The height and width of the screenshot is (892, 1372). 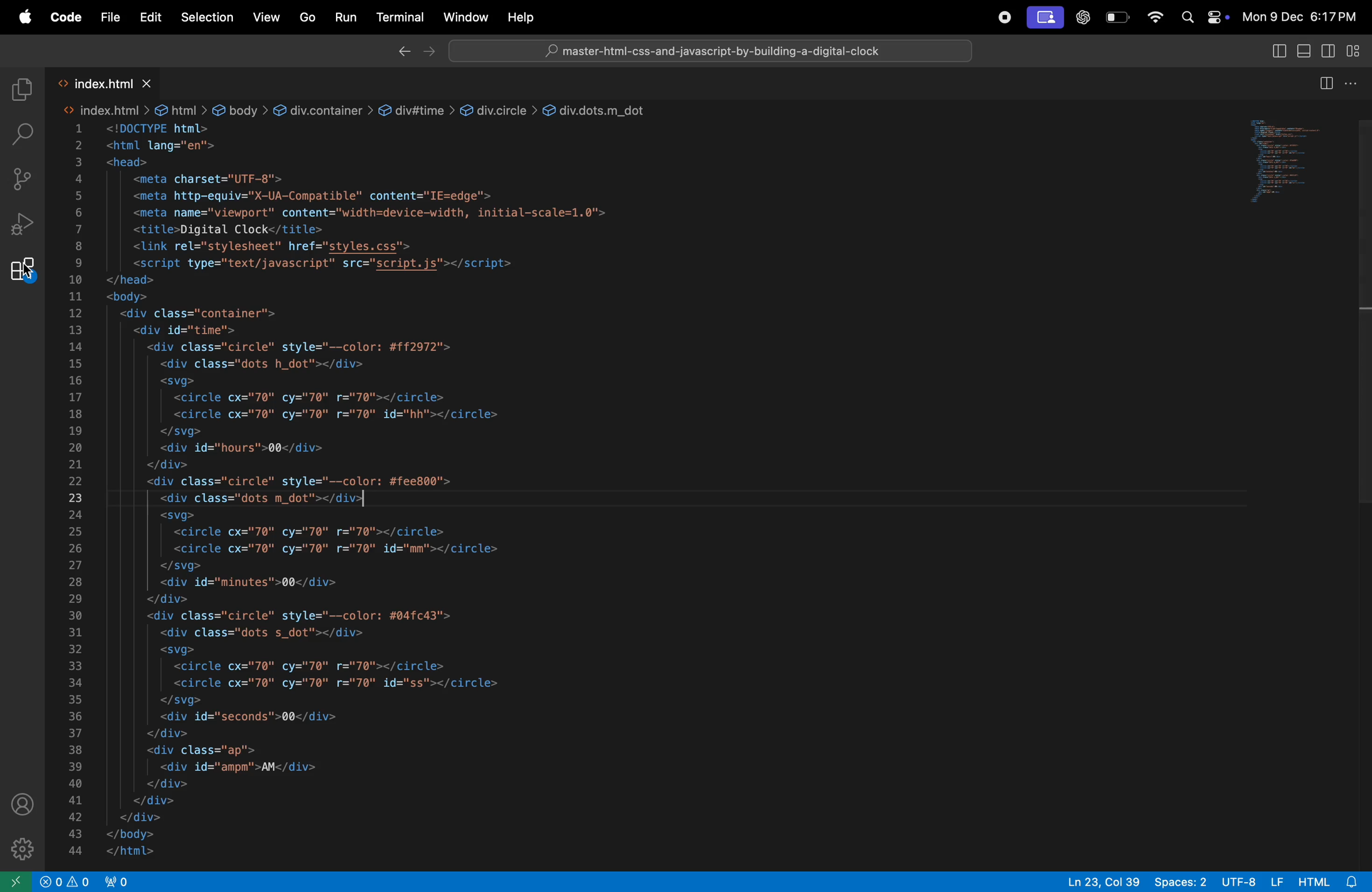 I want to click on code block, so click(x=378, y=486).